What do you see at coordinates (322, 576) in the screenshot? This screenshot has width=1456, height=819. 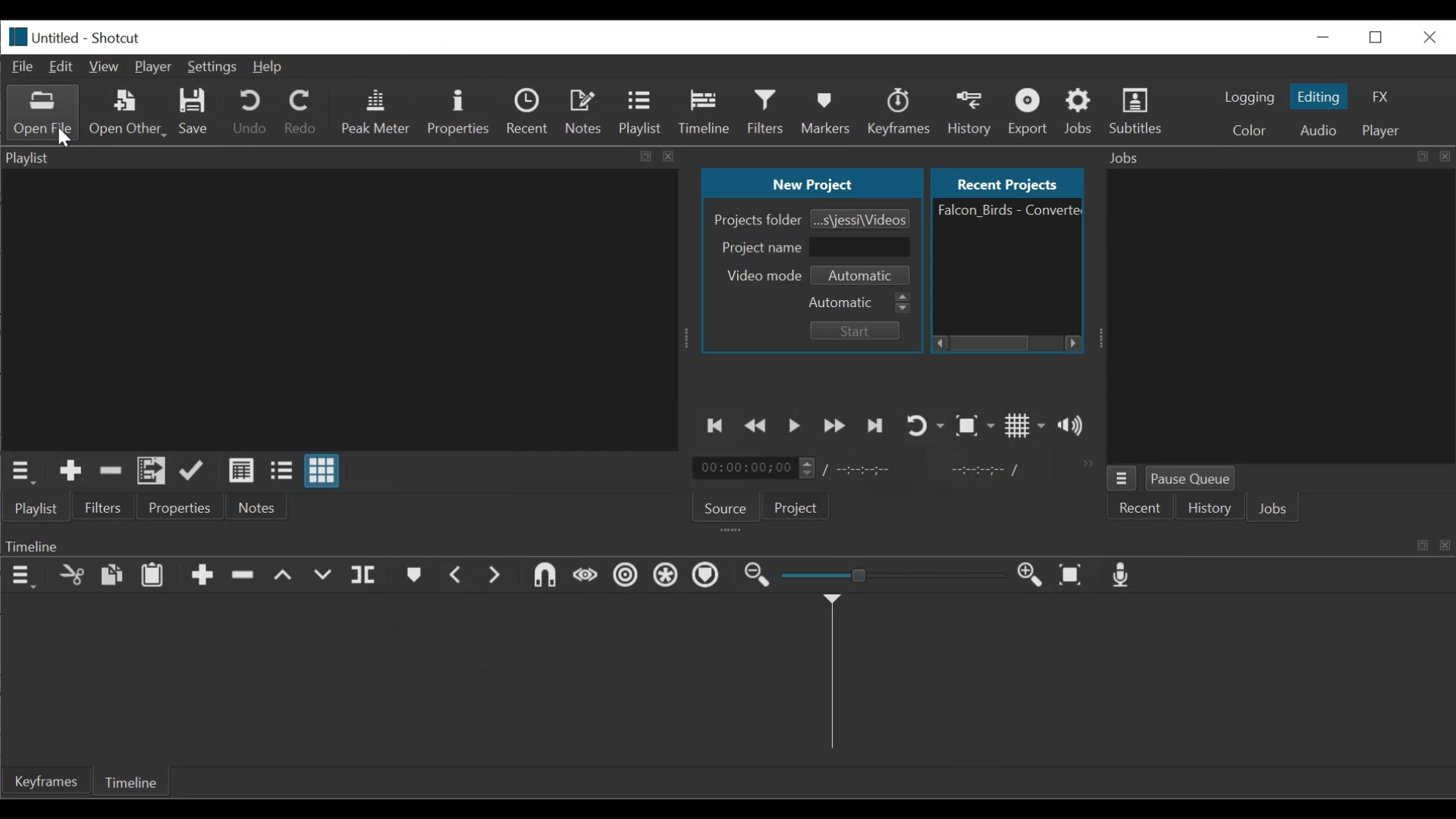 I see `Overwrite` at bounding box center [322, 576].